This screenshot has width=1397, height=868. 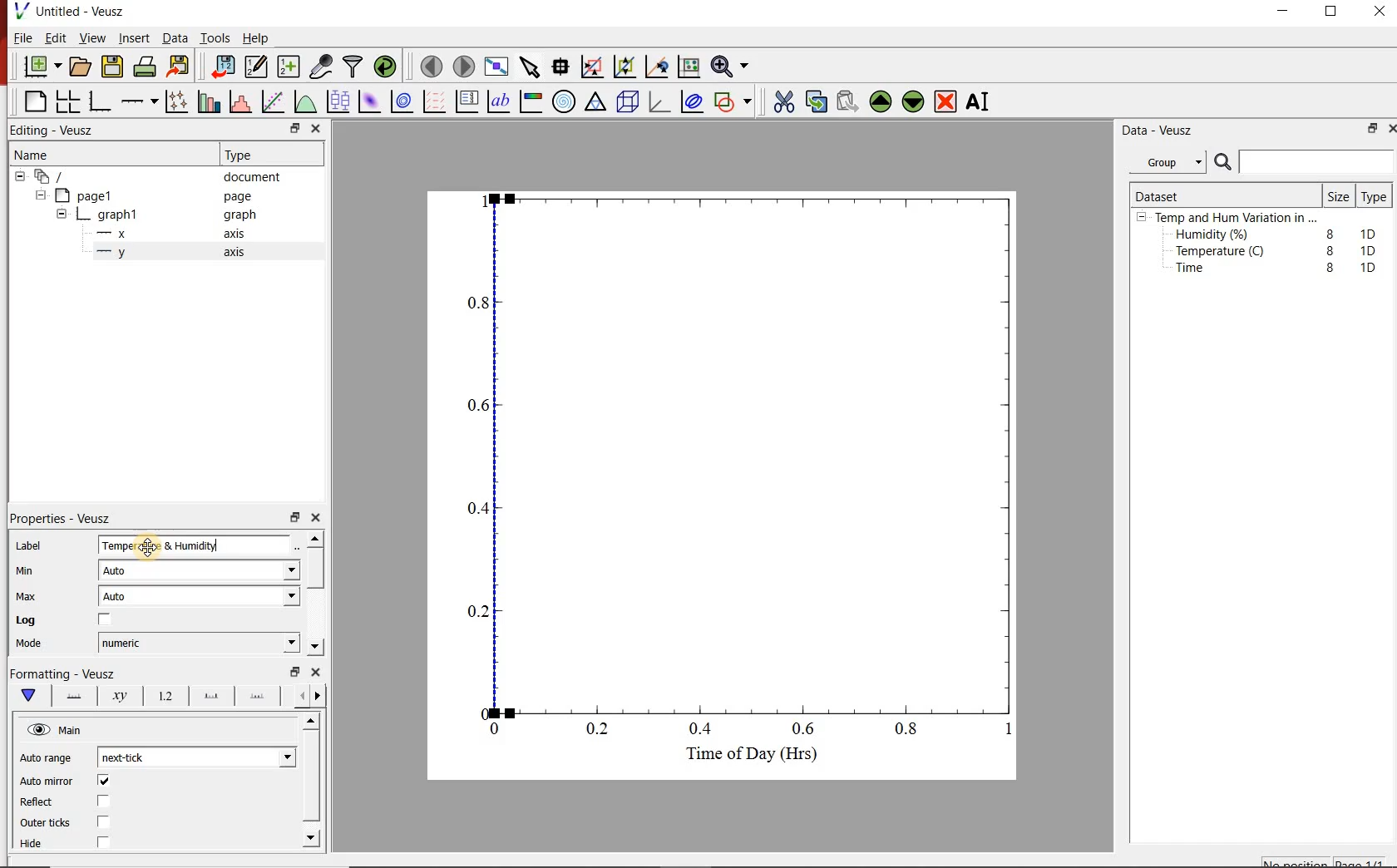 What do you see at coordinates (62, 213) in the screenshot?
I see `hide sub menu` at bounding box center [62, 213].